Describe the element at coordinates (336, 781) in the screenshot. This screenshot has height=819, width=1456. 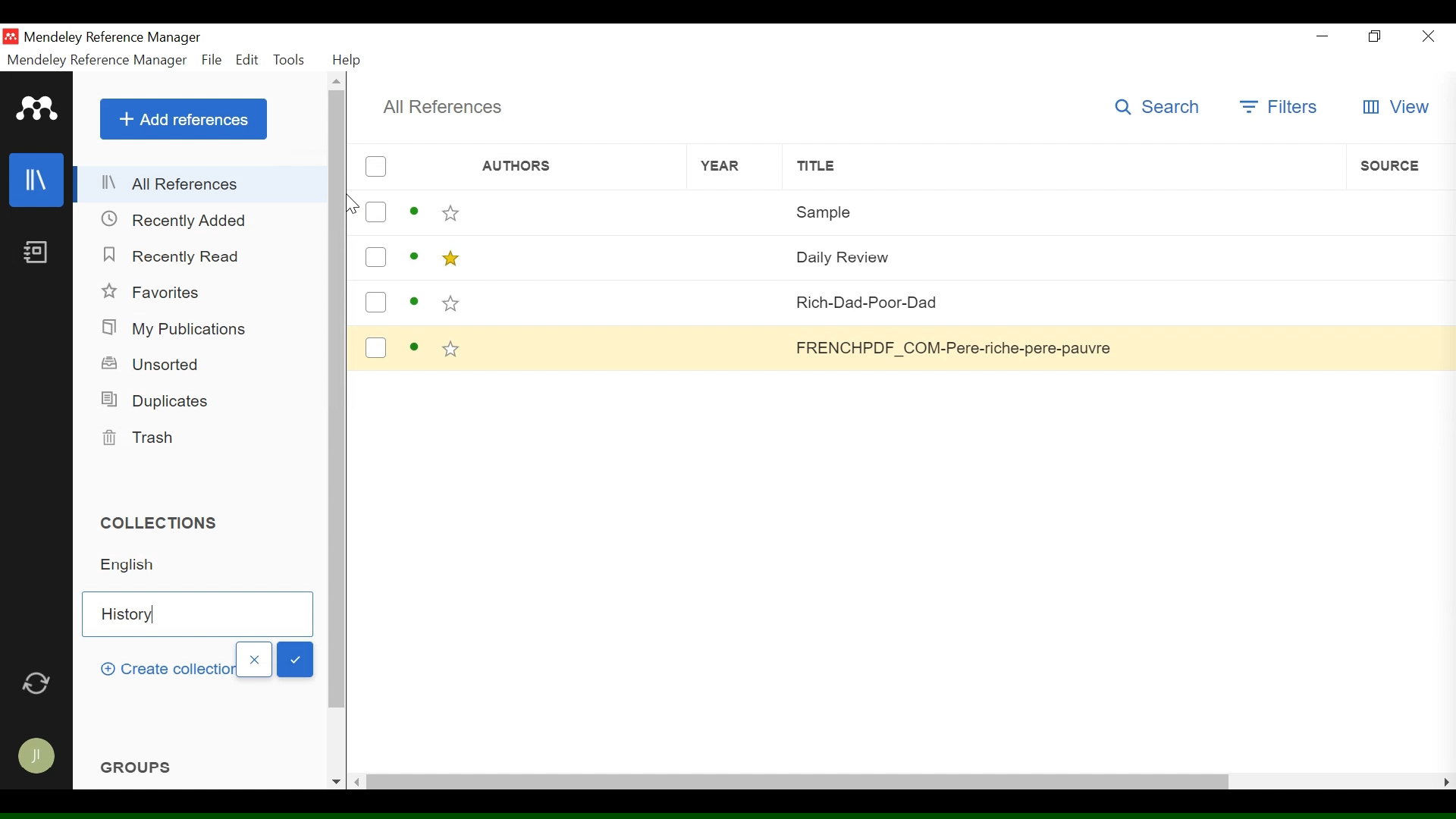
I see `Scroll down` at that location.